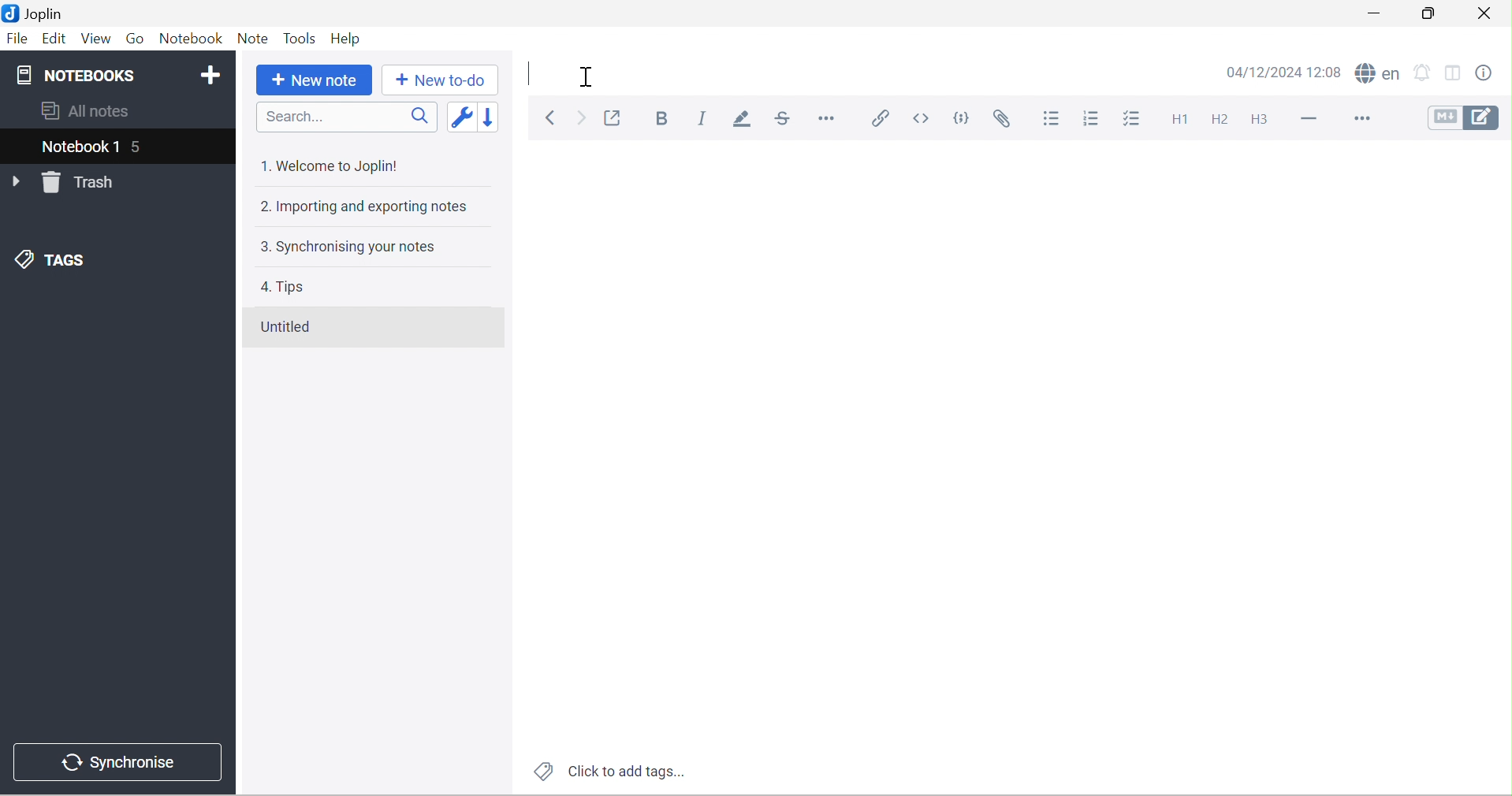 The width and height of the screenshot is (1512, 796). What do you see at coordinates (213, 76) in the screenshot?
I see `Add notebook` at bounding box center [213, 76].